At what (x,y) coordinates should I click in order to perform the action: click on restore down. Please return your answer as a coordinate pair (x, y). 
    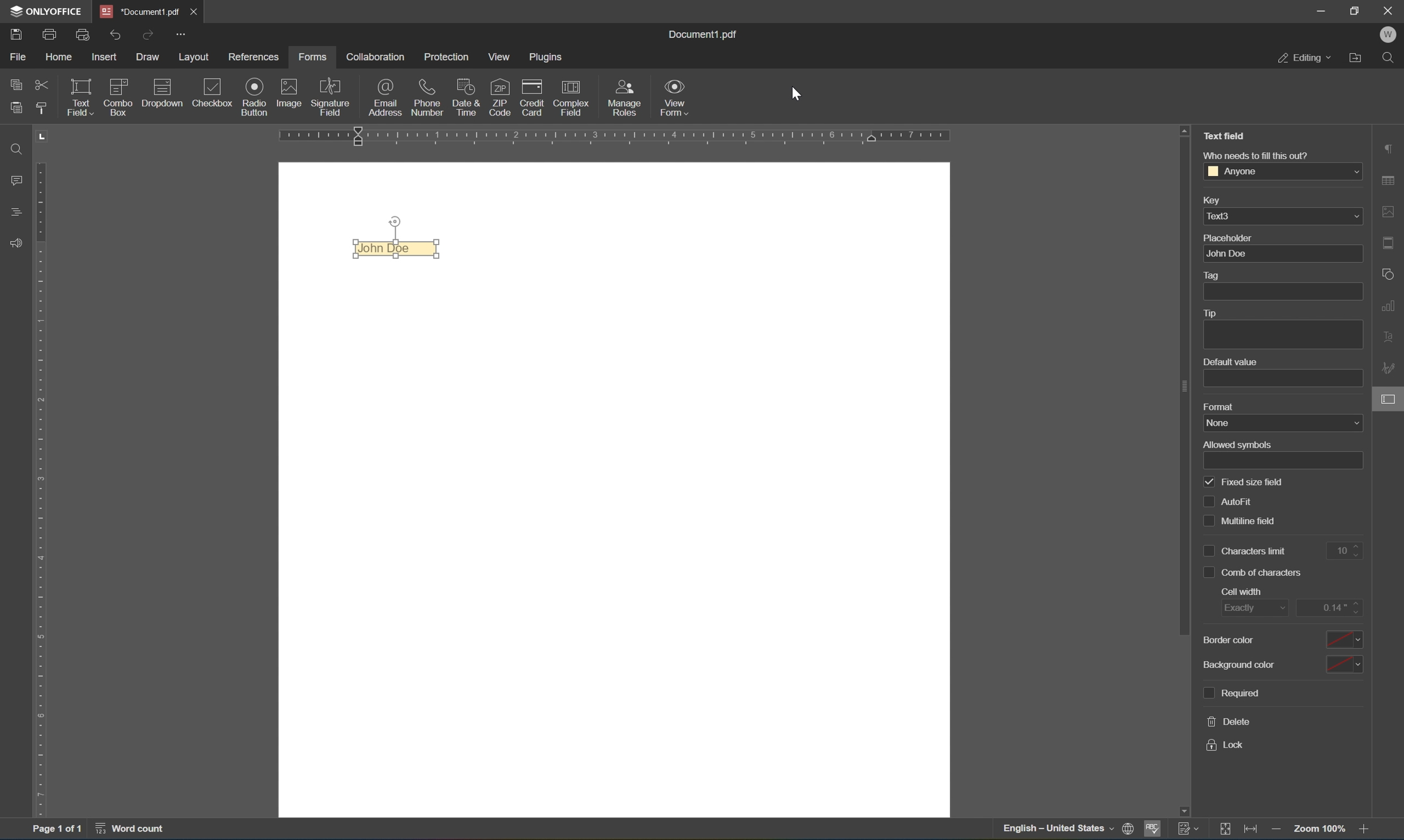
    Looking at the image, I should click on (1356, 10).